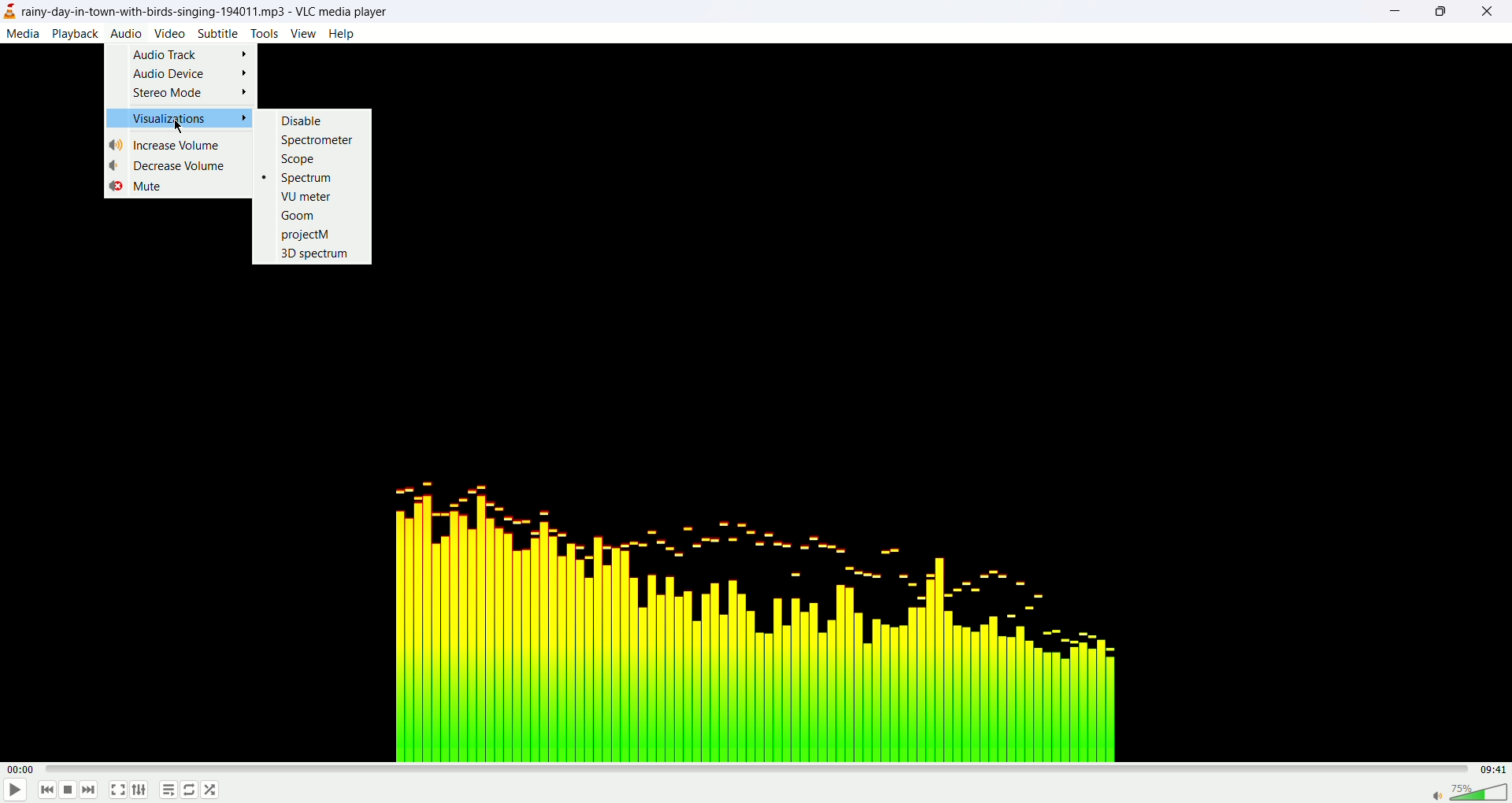 This screenshot has width=1512, height=803. What do you see at coordinates (191, 54) in the screenshot?
I see `audio track` at bounding box center [191, 54].